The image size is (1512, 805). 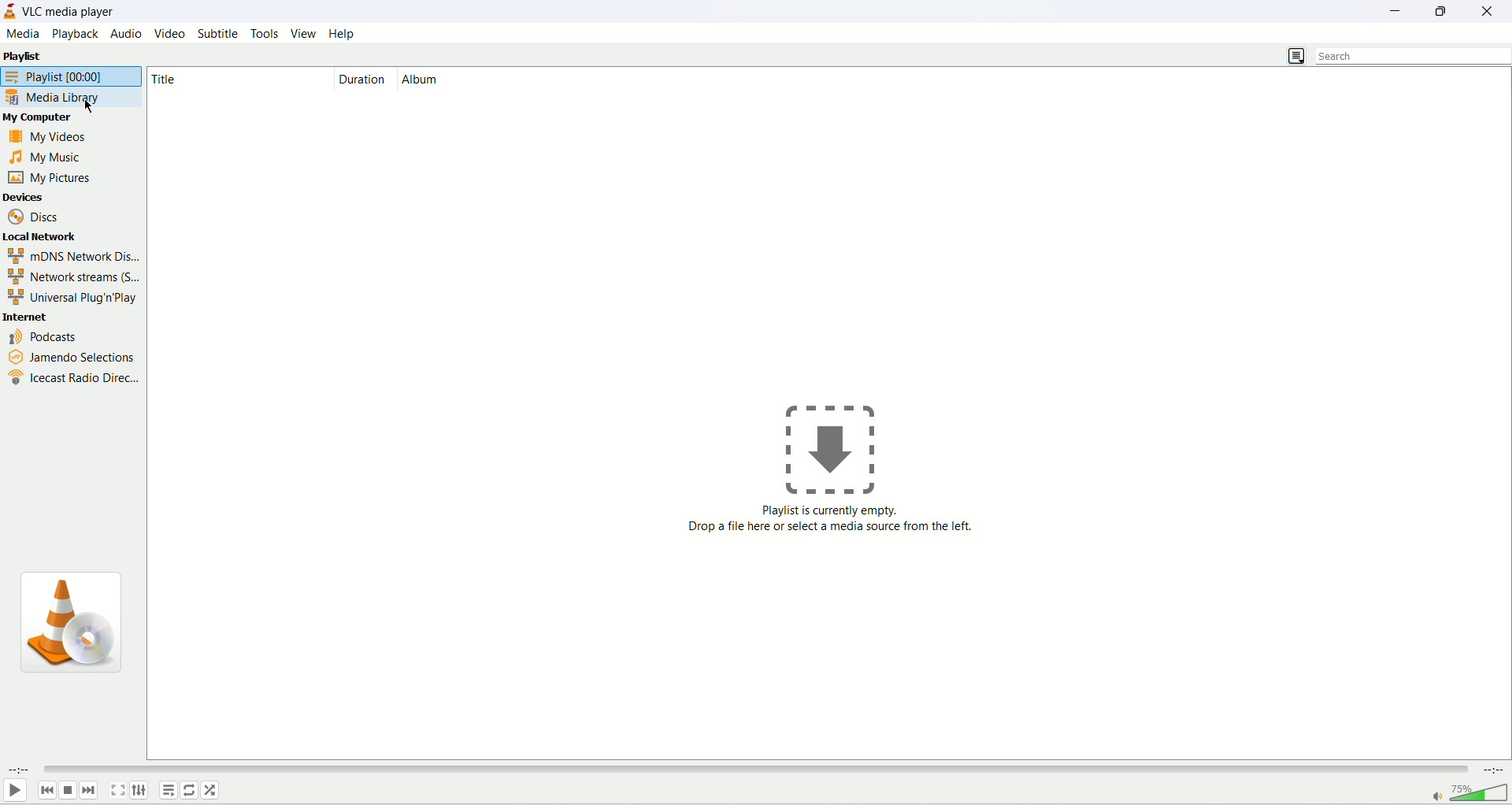 I want to click on my music, so click(x=61, y=158).